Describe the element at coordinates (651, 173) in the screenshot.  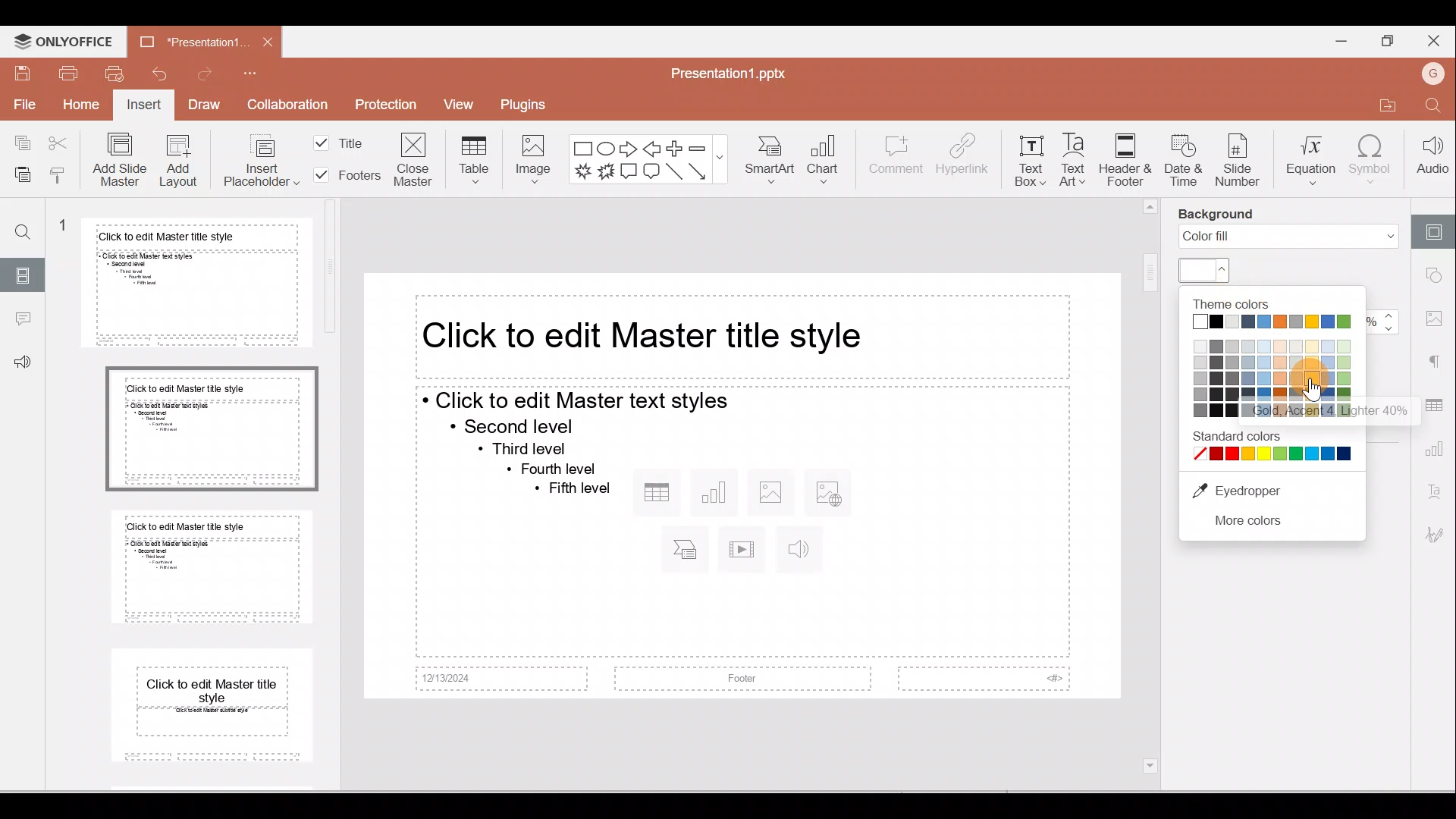
I see `Rounded Rectangular callout` at that location.